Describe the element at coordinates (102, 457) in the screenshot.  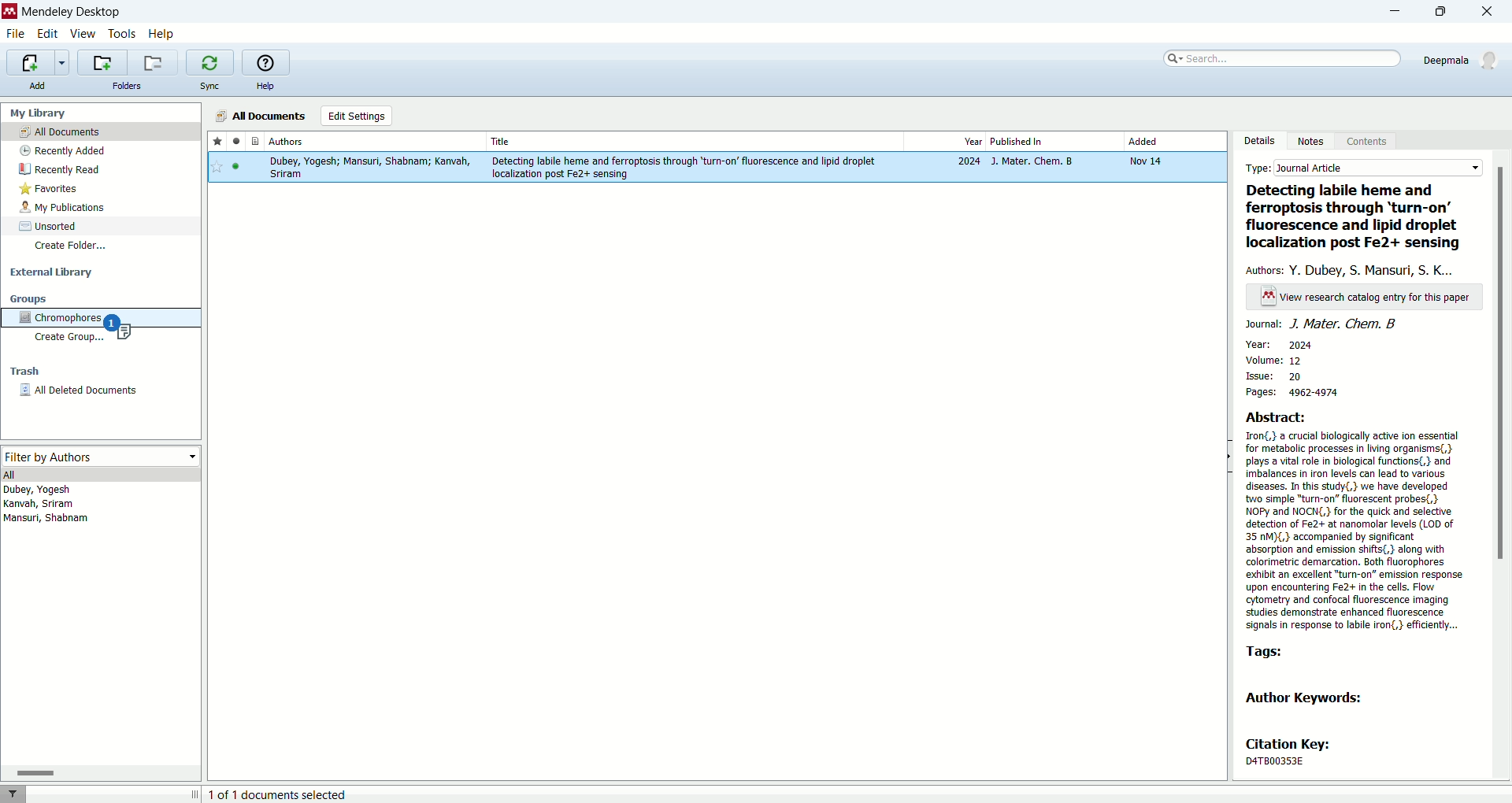
I see `filter by authors` at that location.